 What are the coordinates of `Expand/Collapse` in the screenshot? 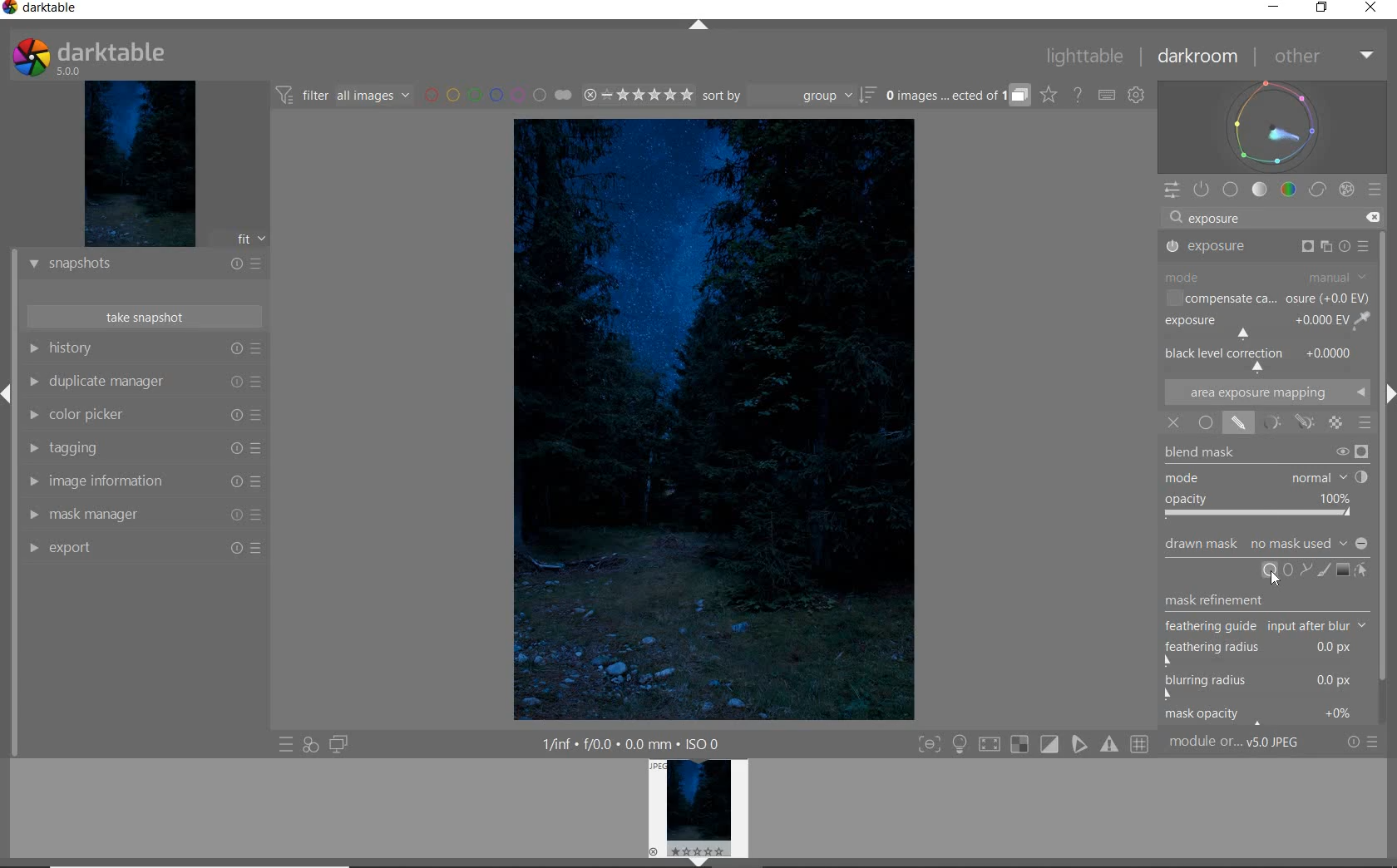 It's located at (1388, 391).